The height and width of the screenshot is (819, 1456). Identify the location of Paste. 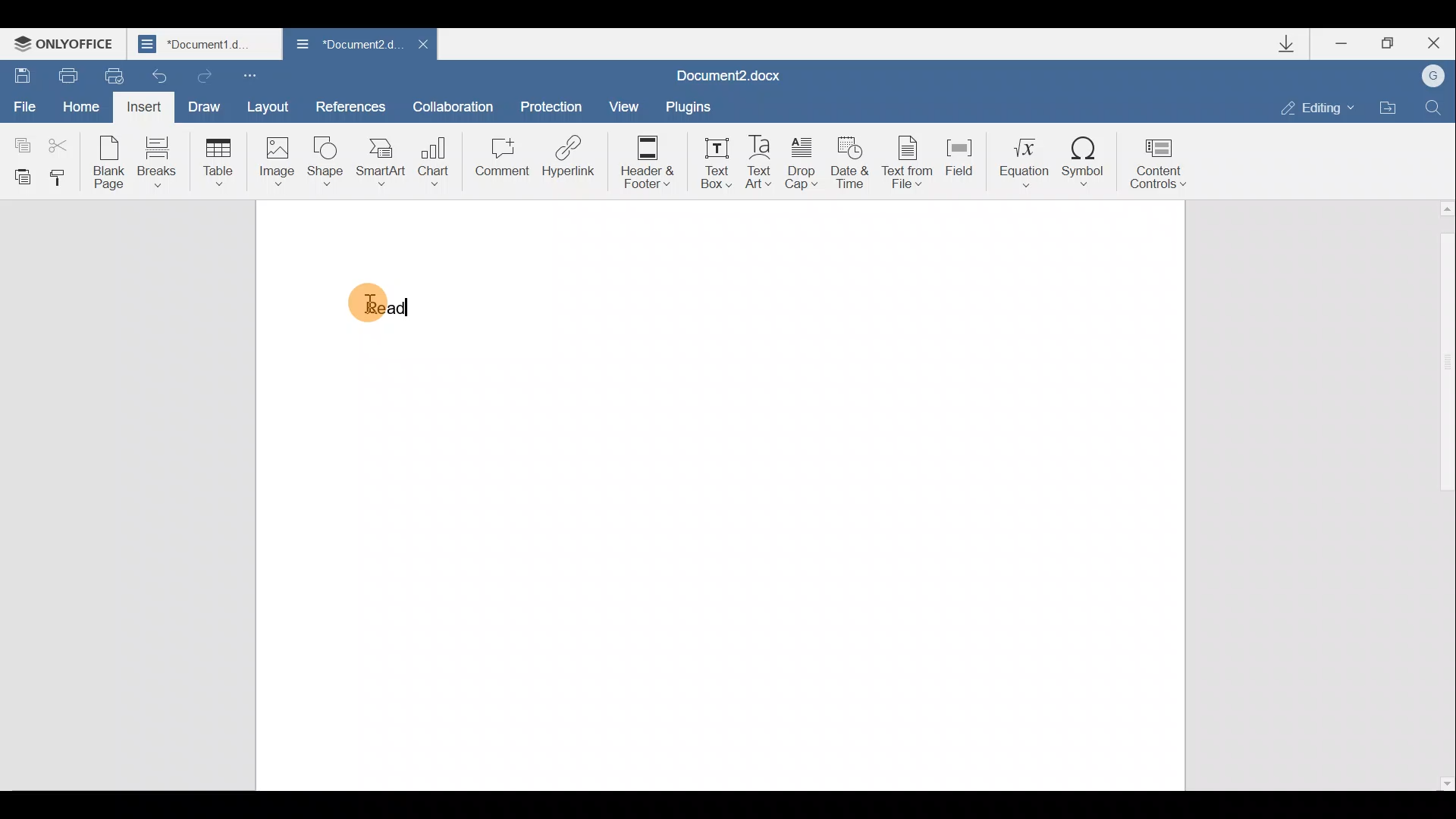
(20, 176).